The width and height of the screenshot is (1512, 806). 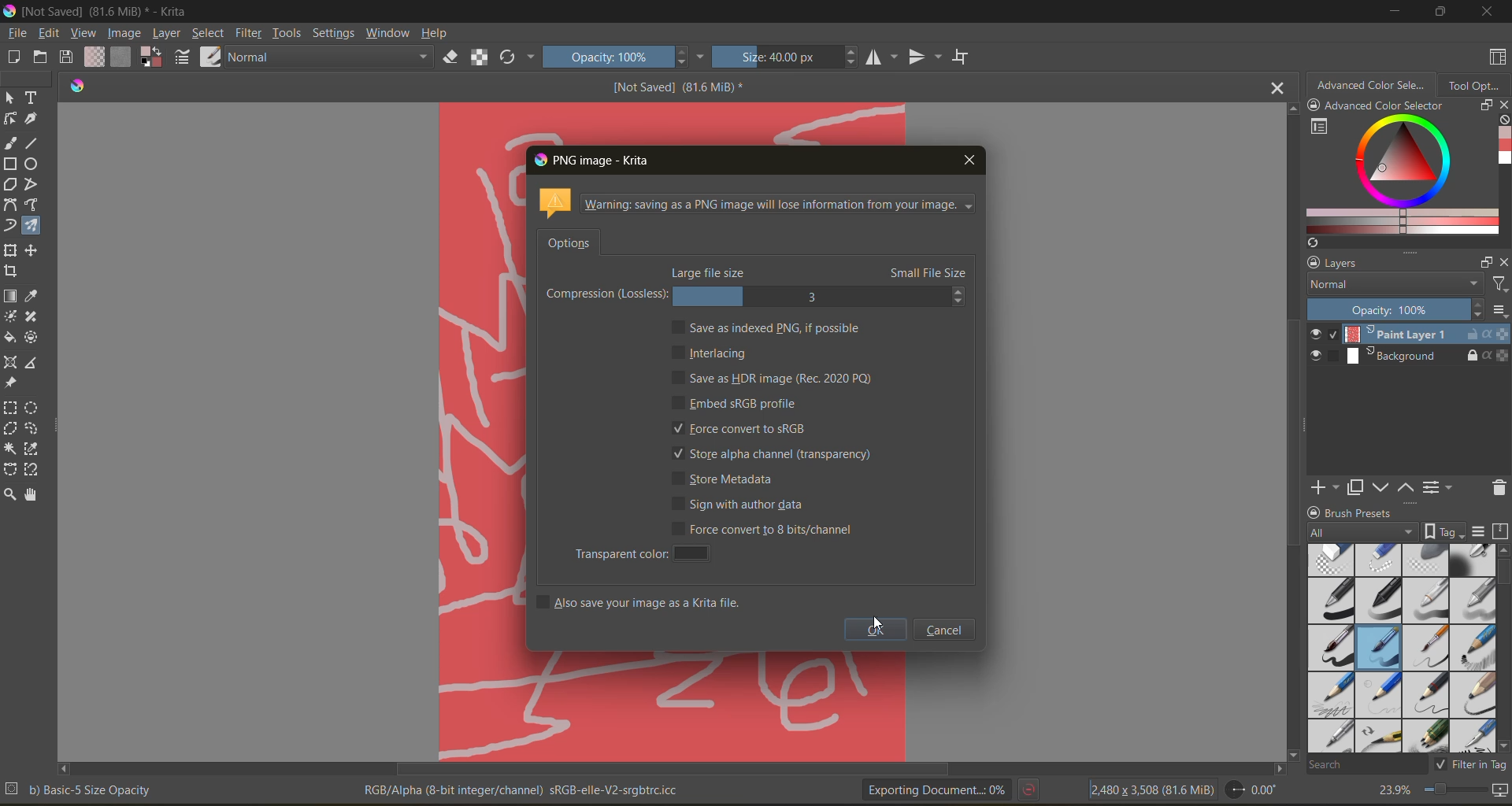 What do you see at coordinates (686, 88) in the screenshot?
I see `[Not Saved] (81.6 MiB) *` at bounding box center [686, 88].